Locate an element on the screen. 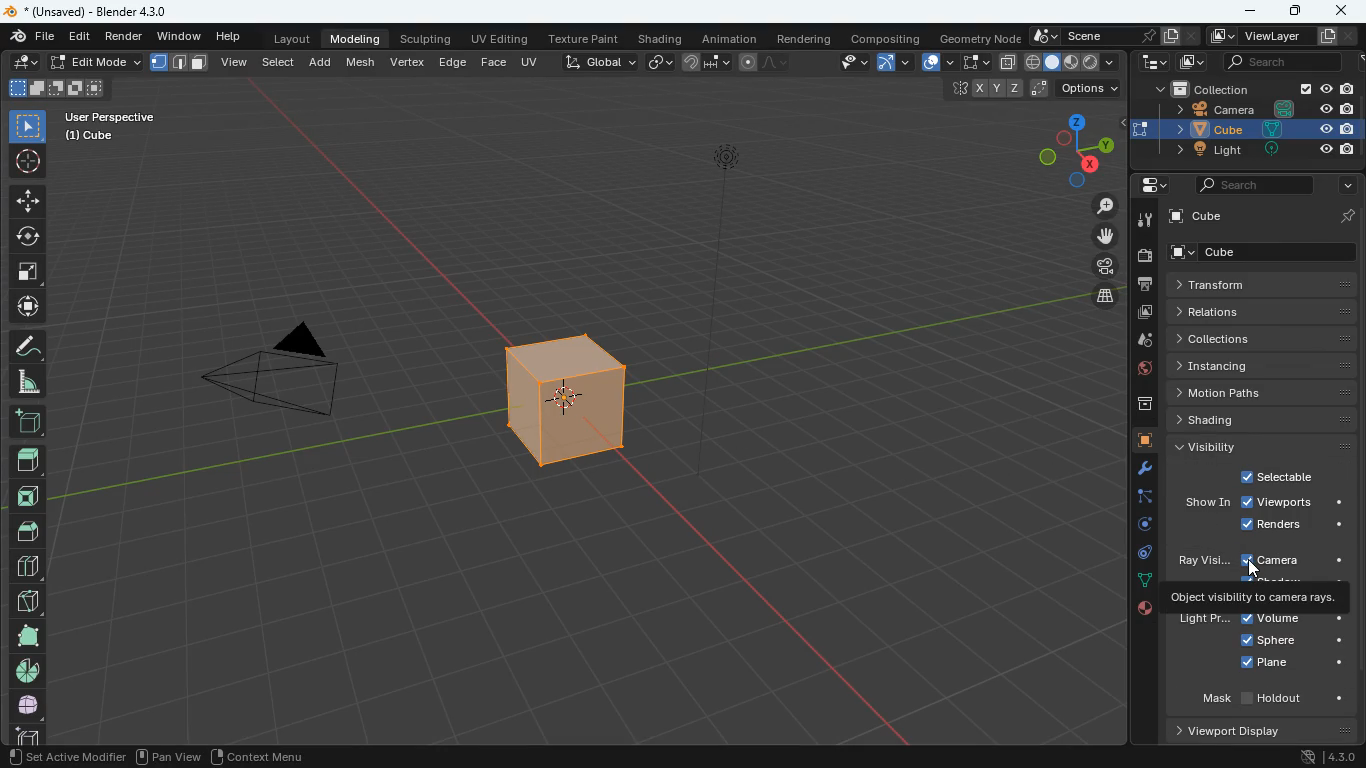  camera is located at coordinates (280, 374).